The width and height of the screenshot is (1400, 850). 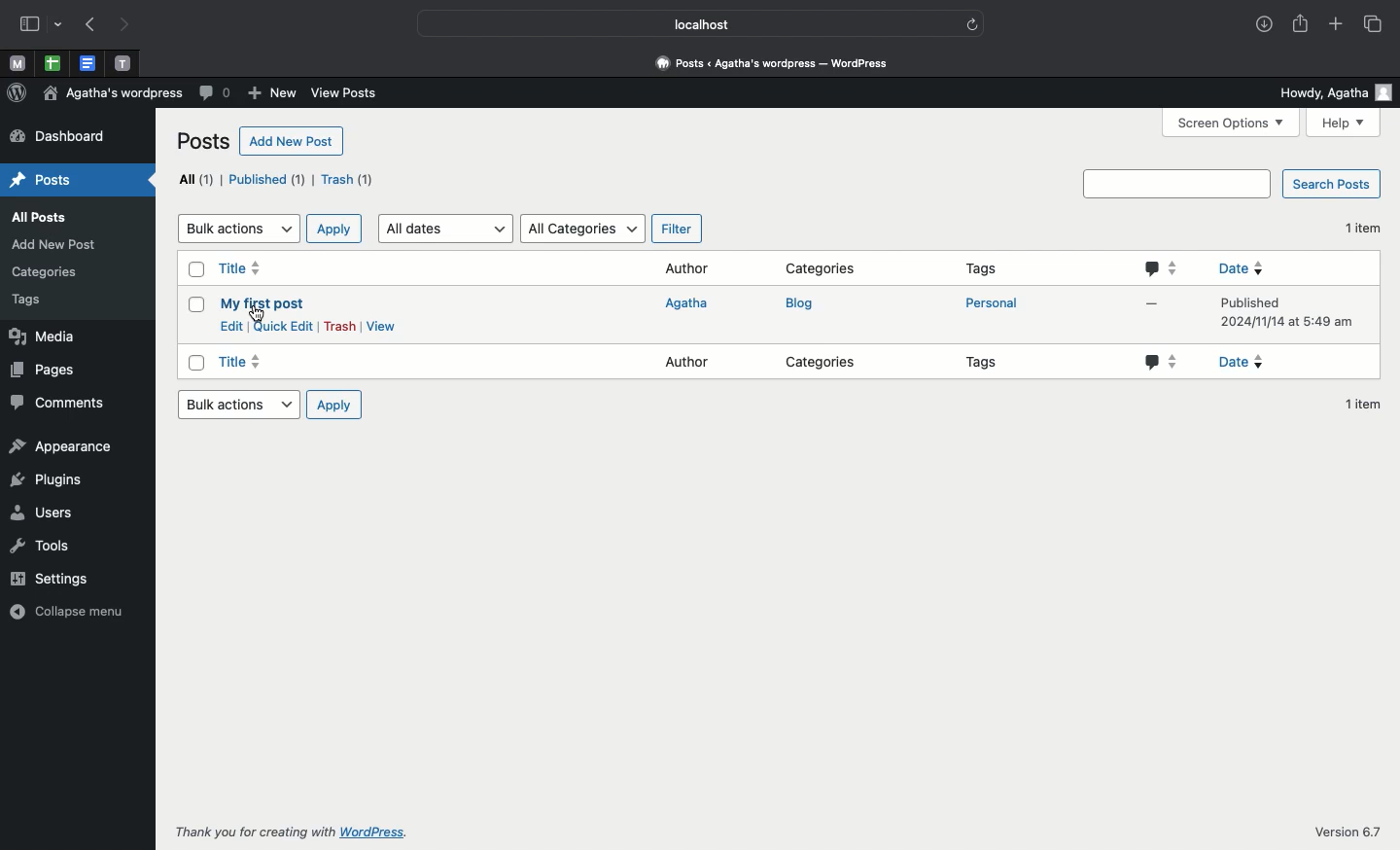 What do you see at coordinates (1363, 402) in the screenshot?
I see `1 item` at bounding box center [1363, 402].